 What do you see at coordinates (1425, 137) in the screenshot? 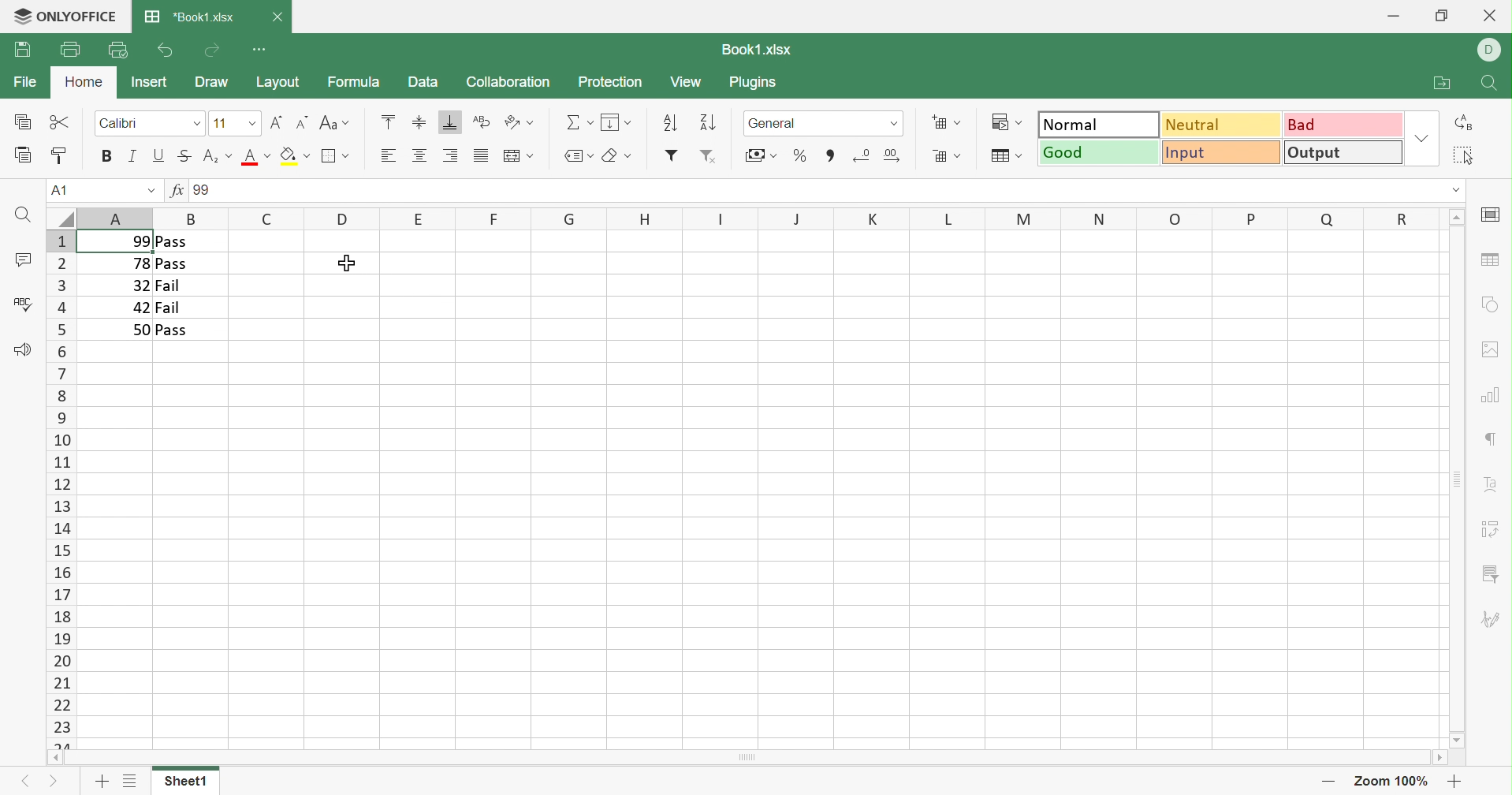
I see `Drop down` at bounding box center [1425, 137].